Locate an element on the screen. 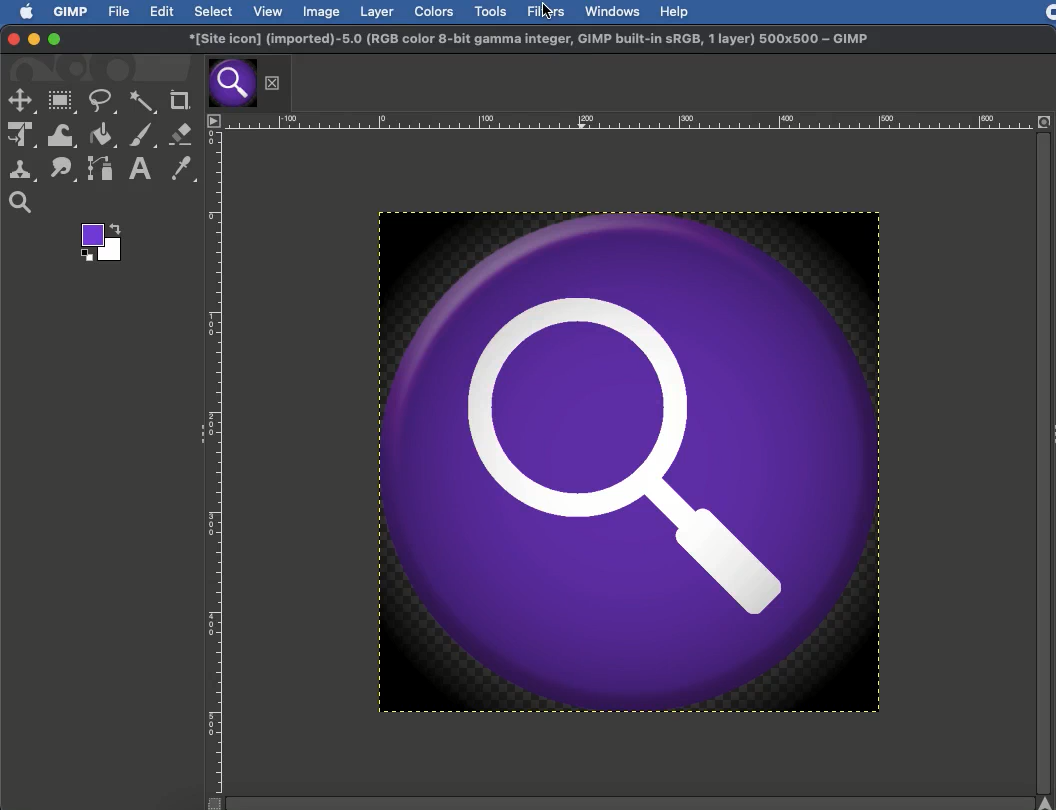 Image resolution: width=1056 pixels, height=810 pixels. Logo is located at coordinates (20, 11).